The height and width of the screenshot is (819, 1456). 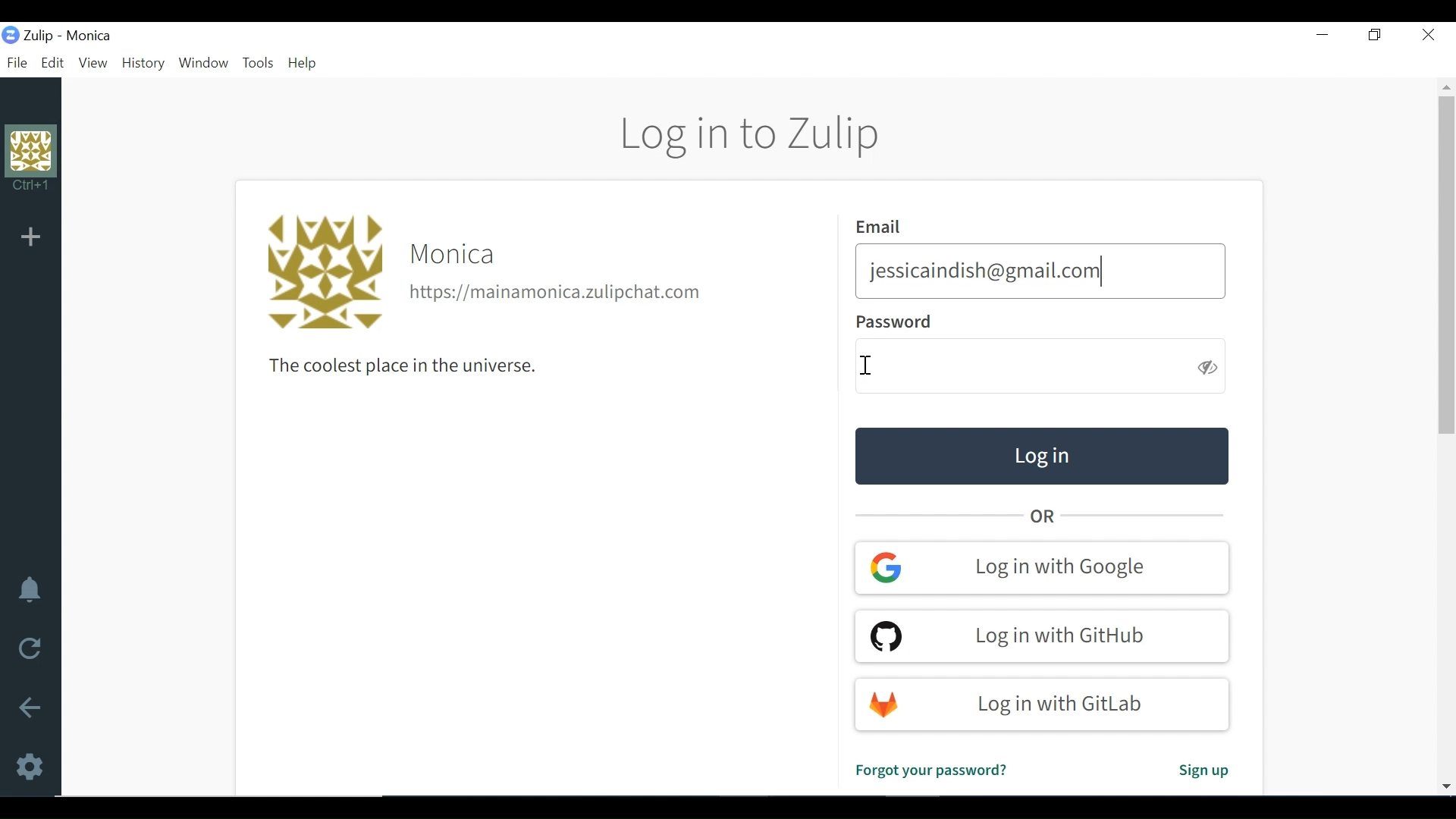 I want to click on Organisation name, so click(x=456, y=255).